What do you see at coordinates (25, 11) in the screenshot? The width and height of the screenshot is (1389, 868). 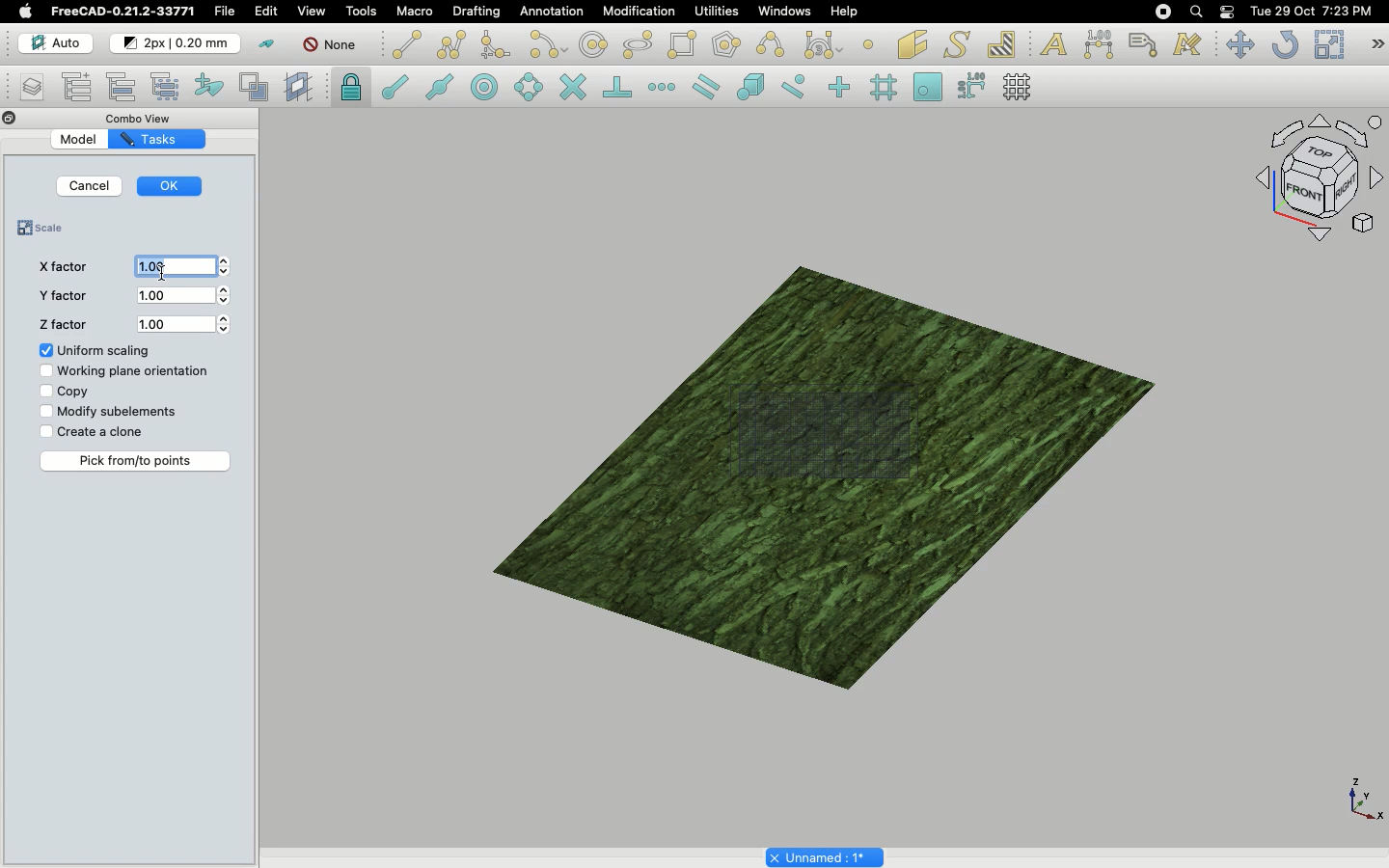 I see `Apple logo` at bounding box center [25, 11].